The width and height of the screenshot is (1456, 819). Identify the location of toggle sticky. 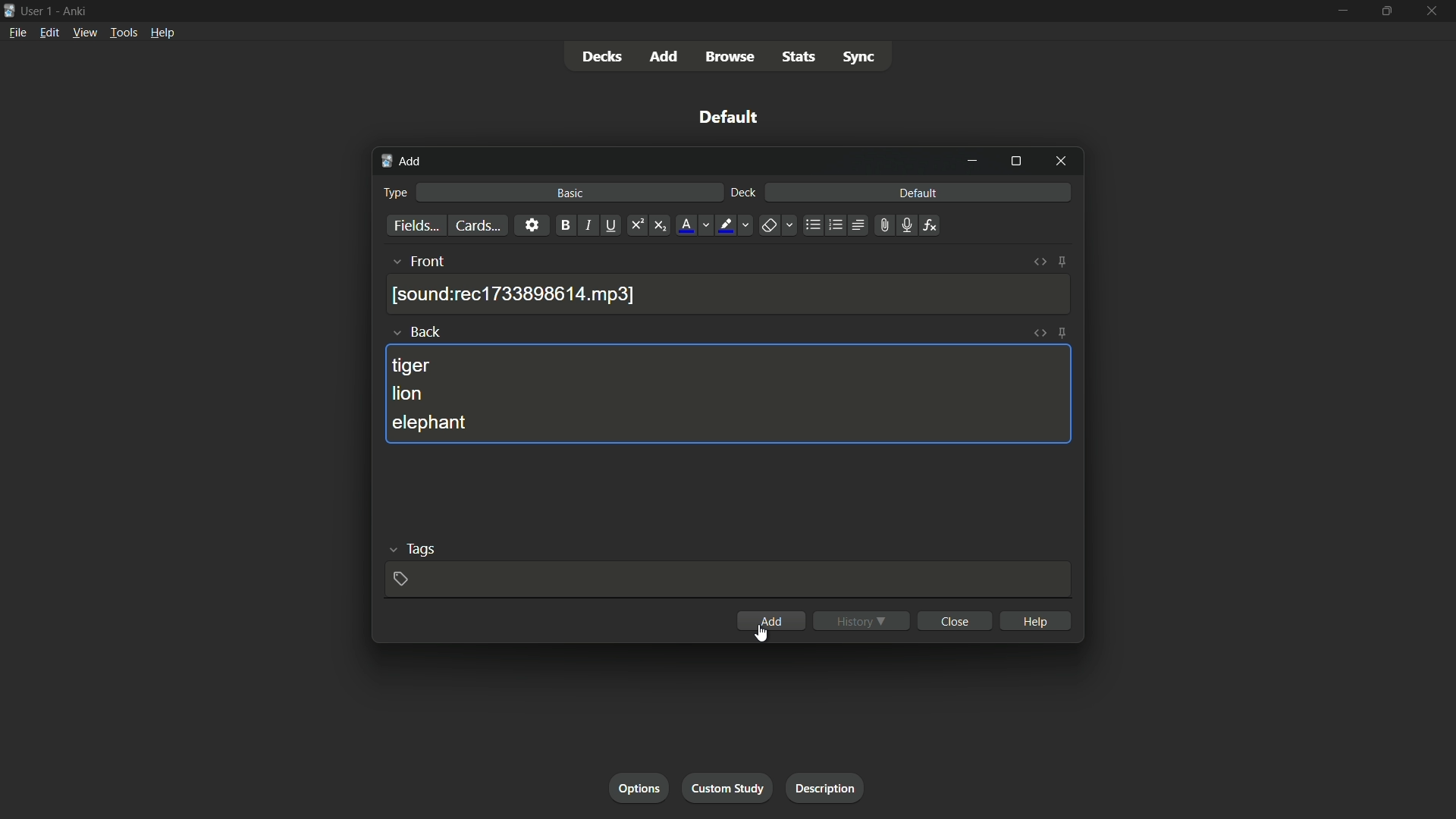
(1062, 262).